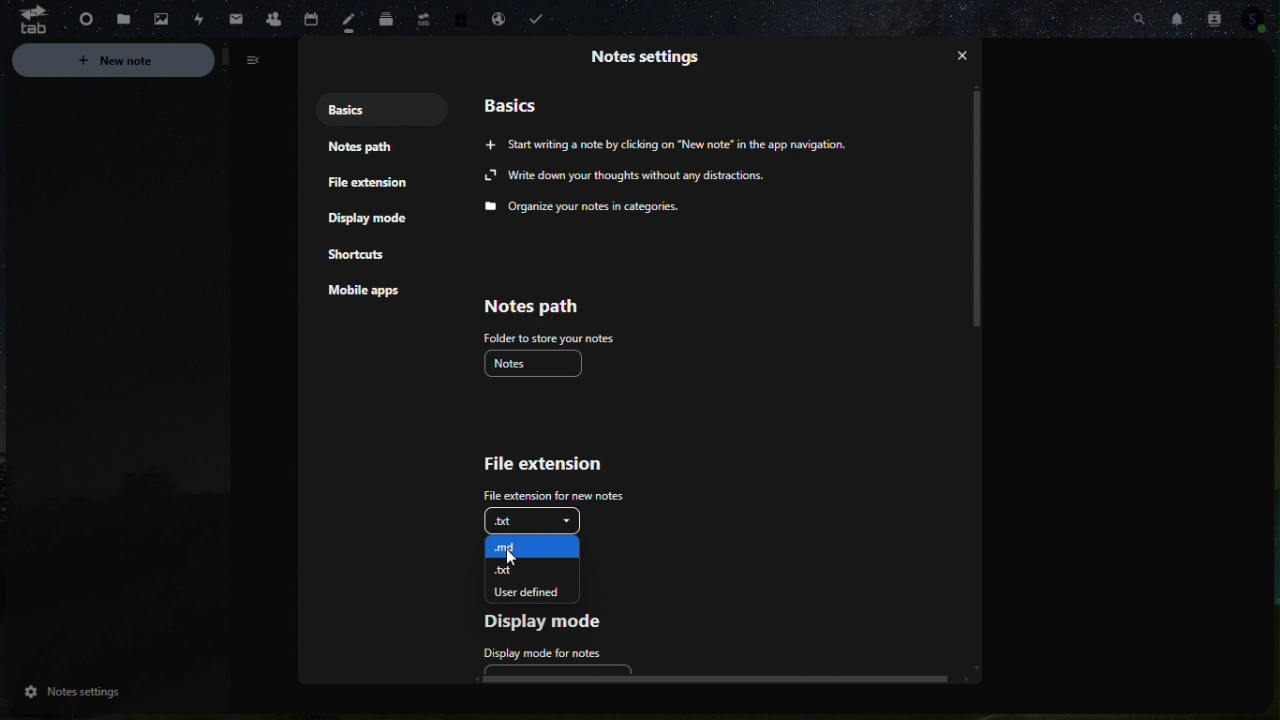 The image size is (1280, 720). Describe the element at coordinates (342, 108) in the screenshot. I see `Basic` at that location.